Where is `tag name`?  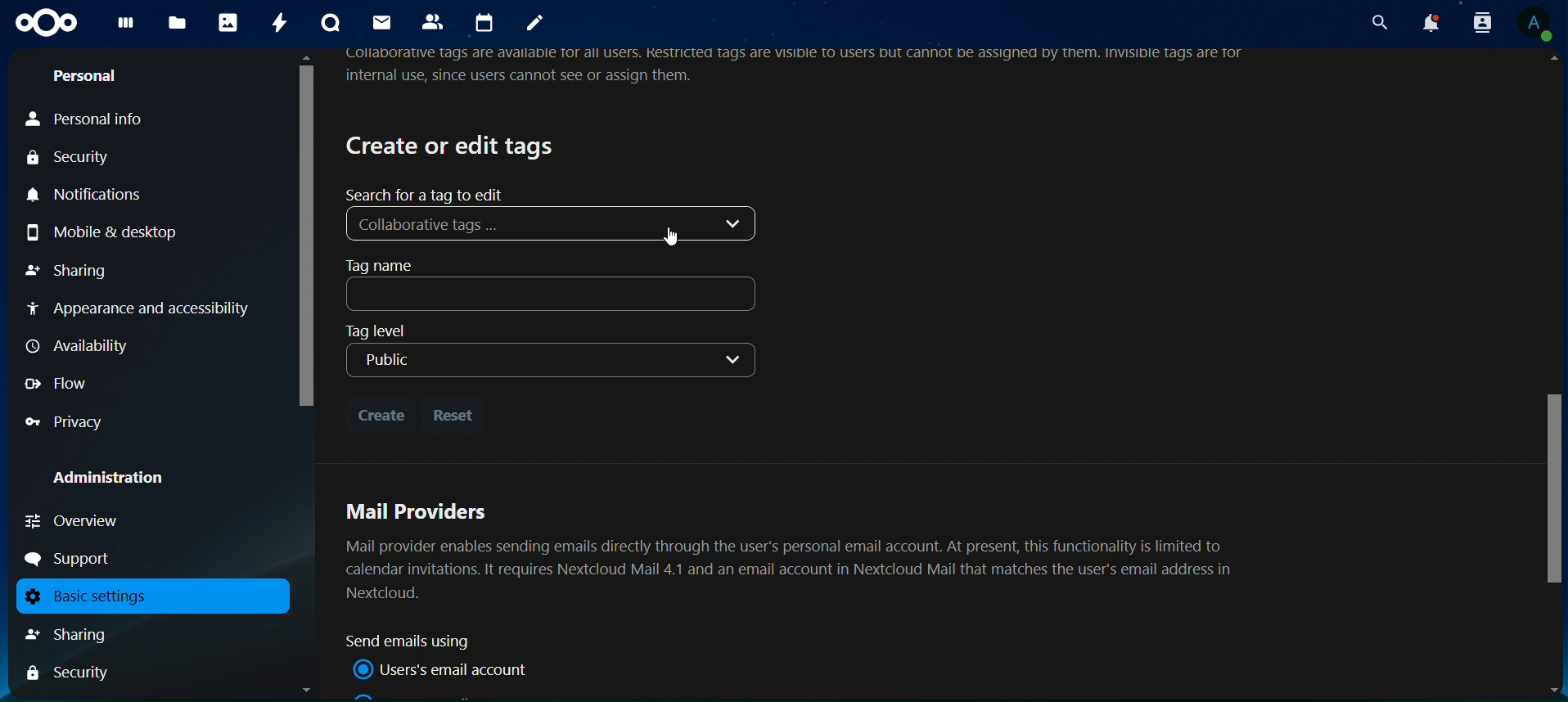
tag name is located at coordinates (555, 285).